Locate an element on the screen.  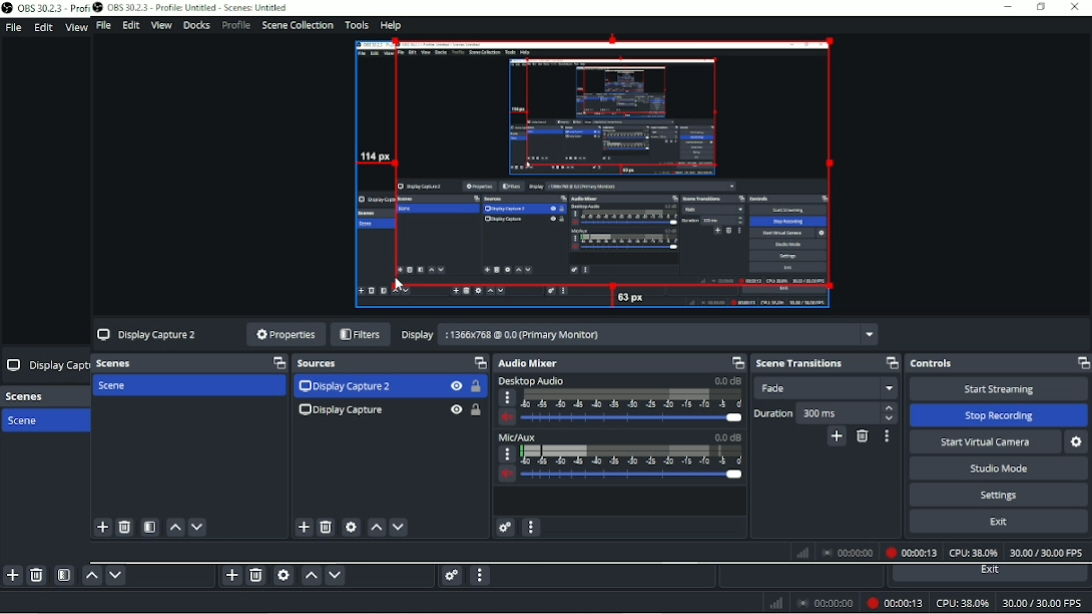
Edit is located at coordinates (132, 25).